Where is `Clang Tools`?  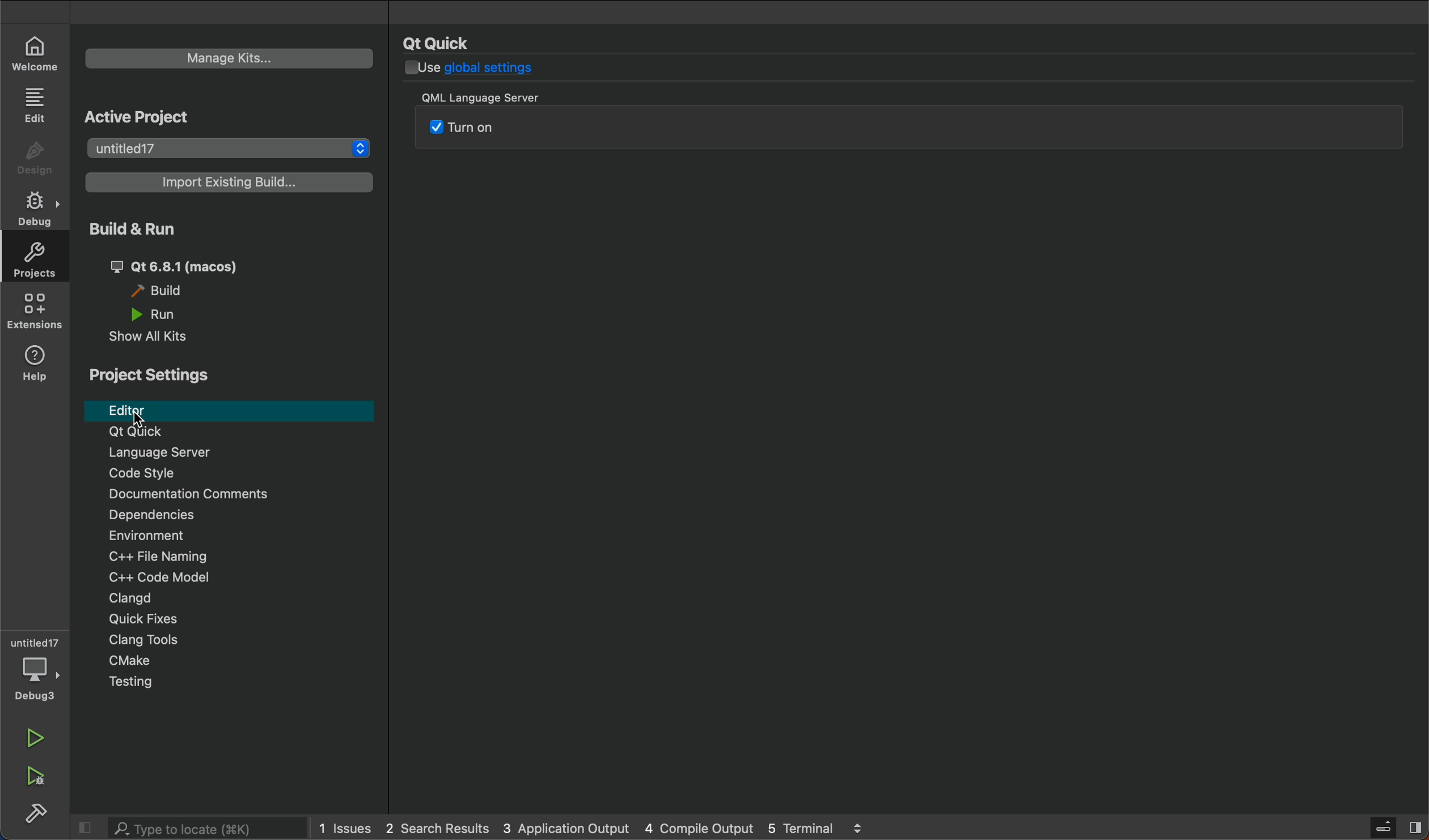
Clang Tools is located at coordinates (213, 642).